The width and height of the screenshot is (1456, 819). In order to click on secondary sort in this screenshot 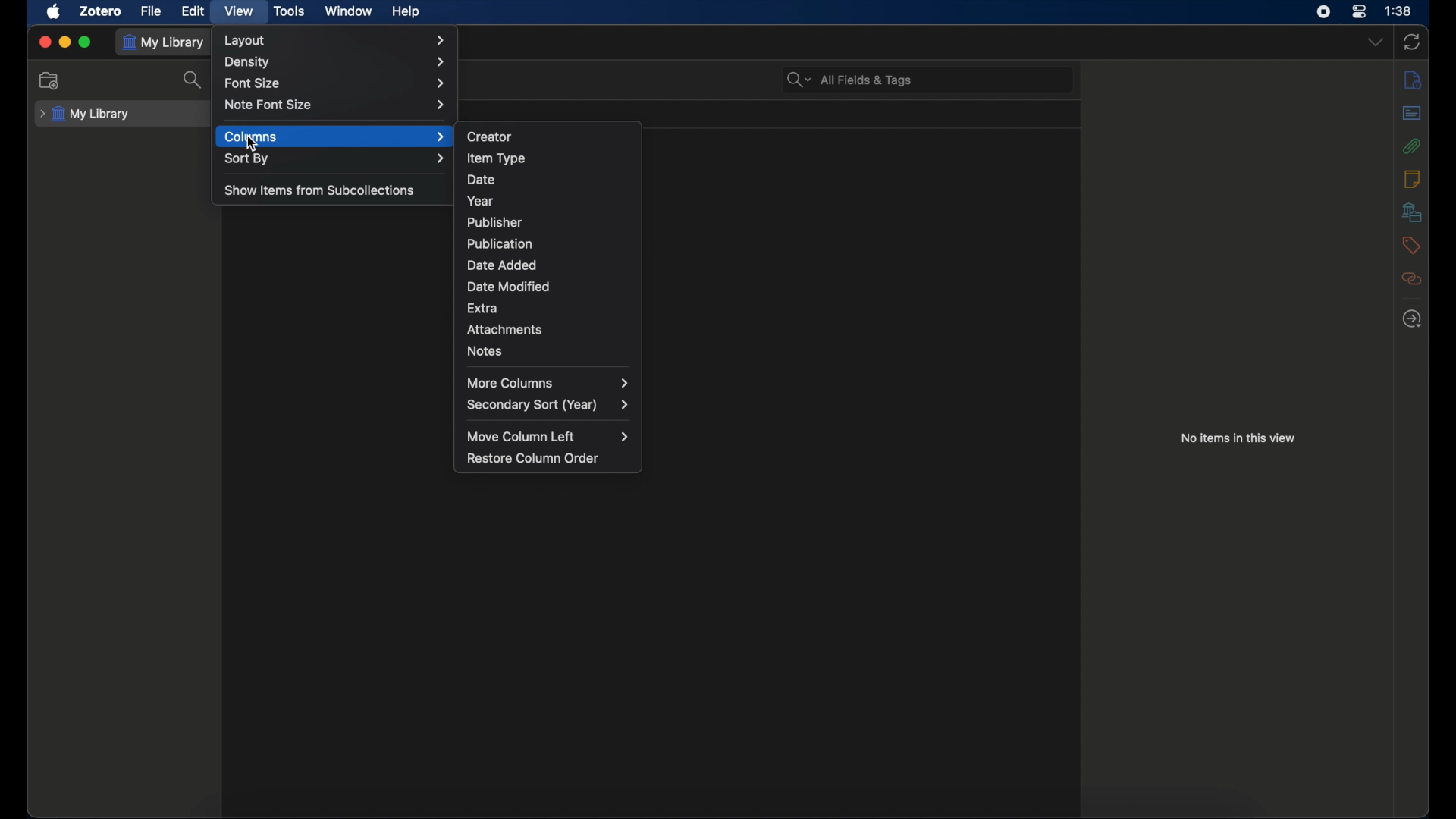, I will do `click(548, 405)`.